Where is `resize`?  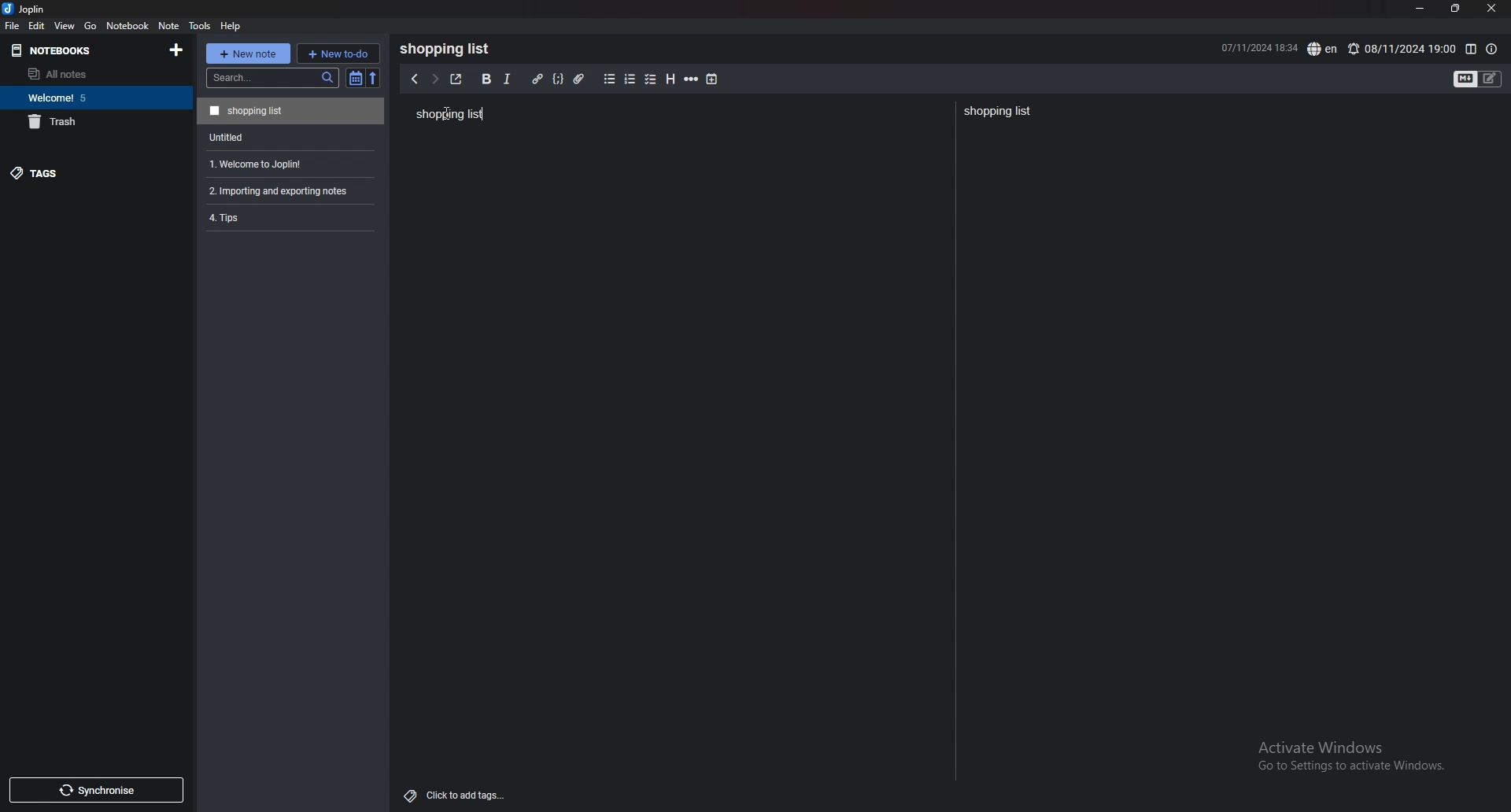
resize is located at coordinates (1454, 9).